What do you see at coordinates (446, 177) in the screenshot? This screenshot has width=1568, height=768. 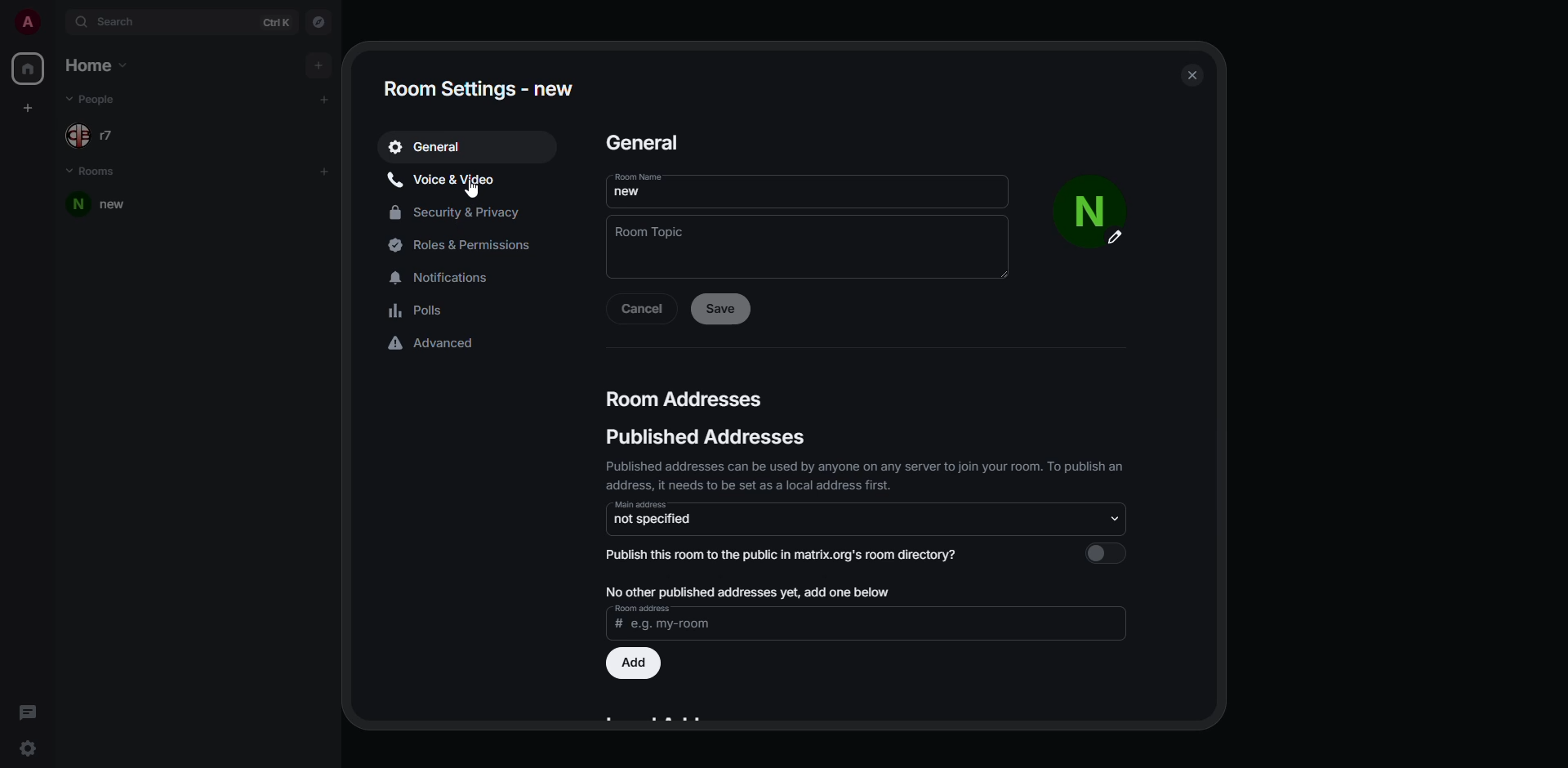 I see `voice & video` at bounding box center [446, 177].